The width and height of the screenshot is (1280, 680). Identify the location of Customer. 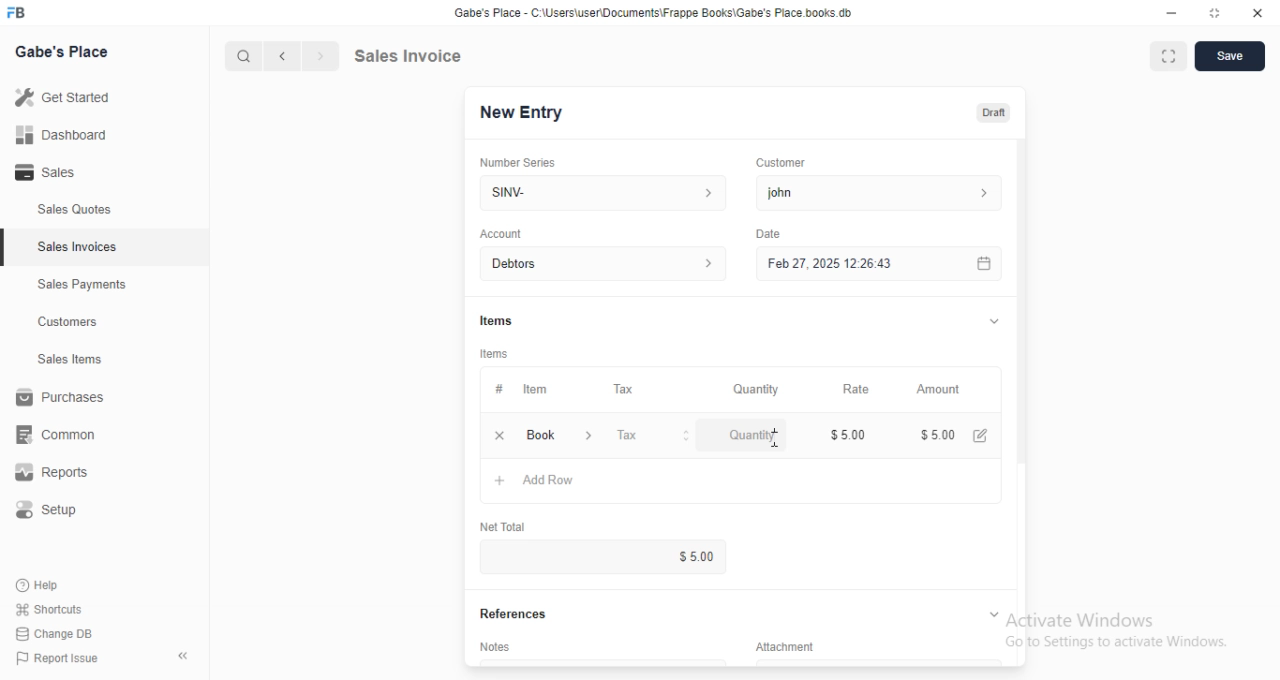
(784, 163).